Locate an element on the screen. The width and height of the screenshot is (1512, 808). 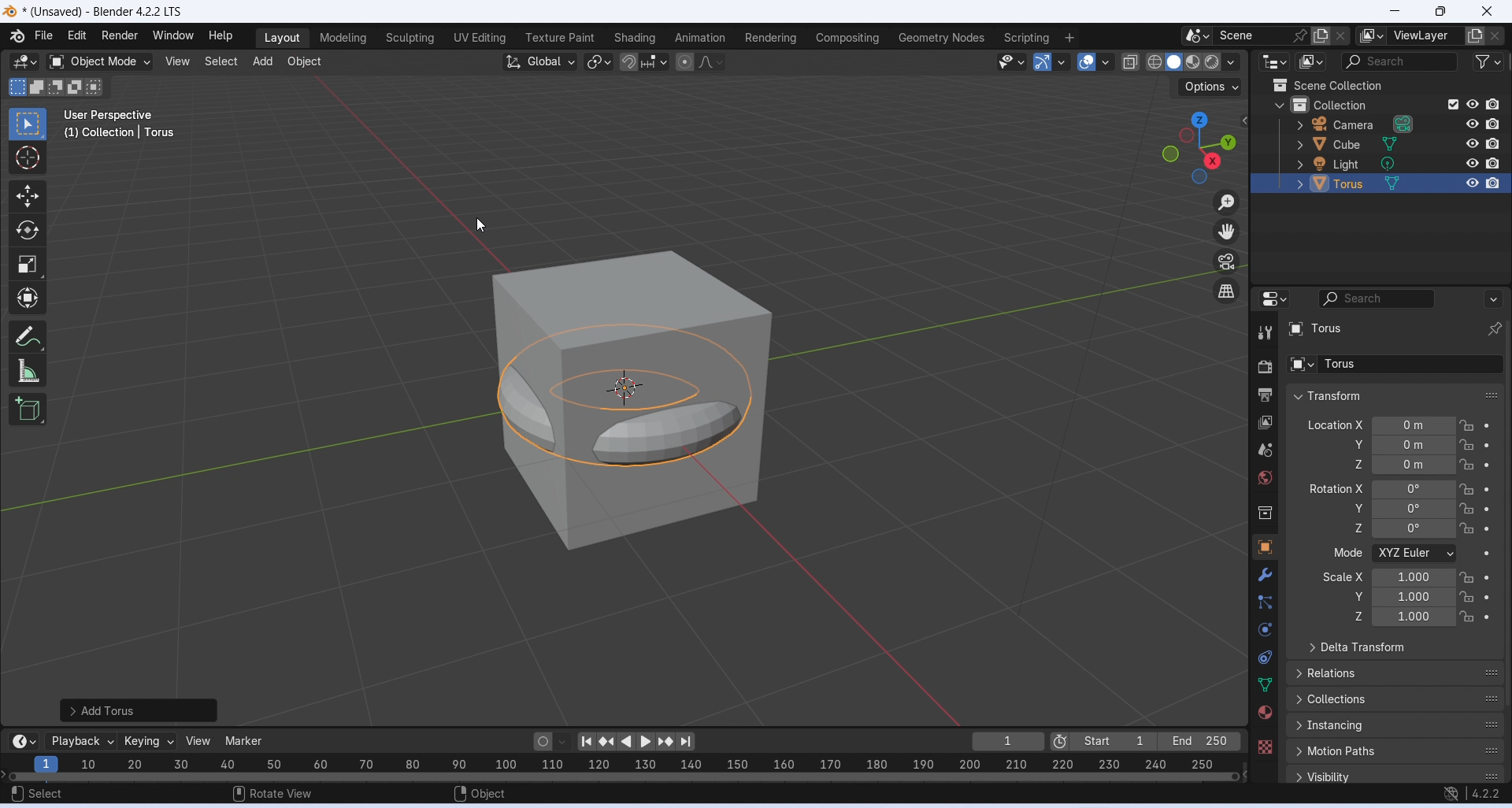
Z axis is located at coordinates (1433, 465).